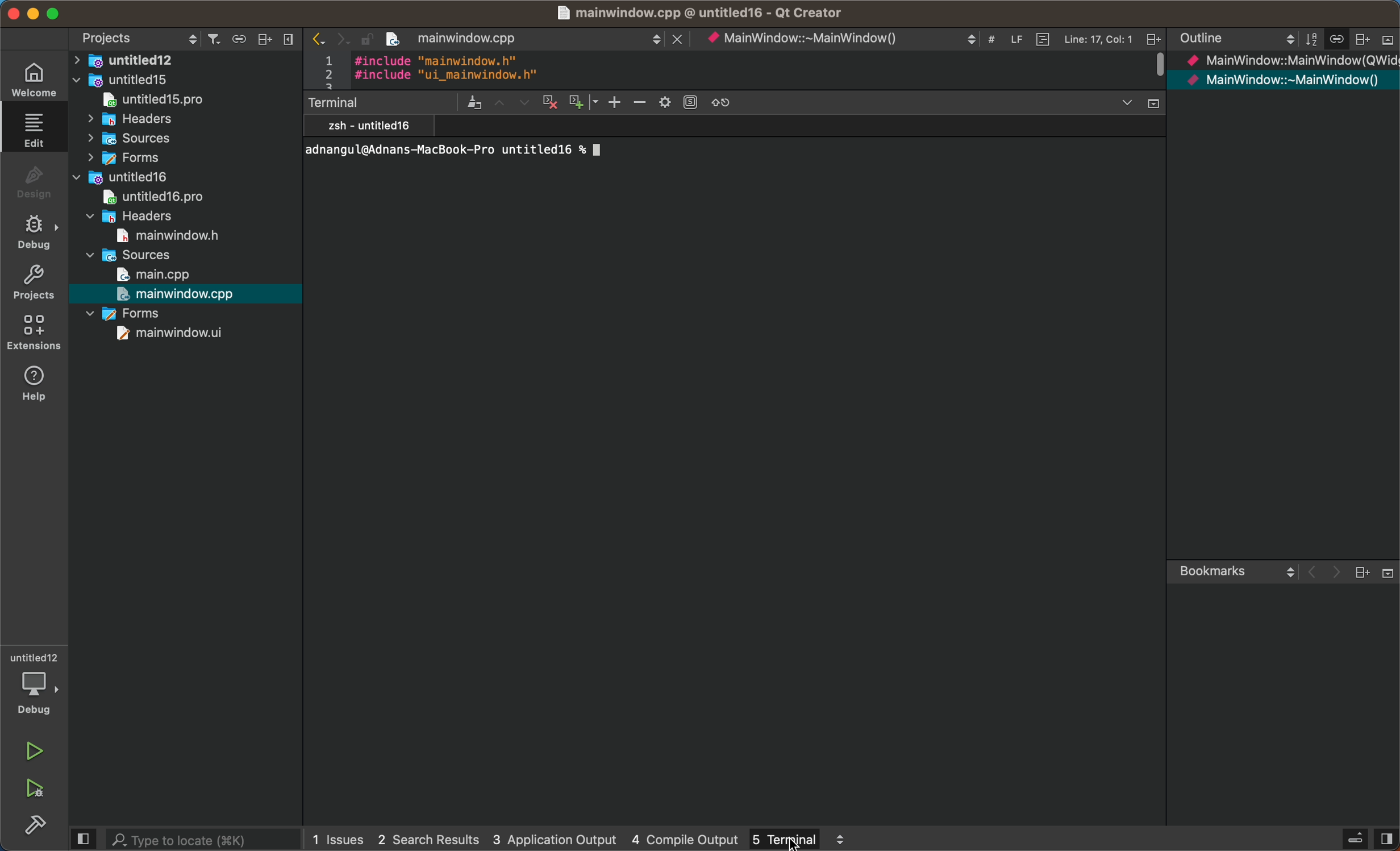  I want to click on debugger, so click(36, 684).